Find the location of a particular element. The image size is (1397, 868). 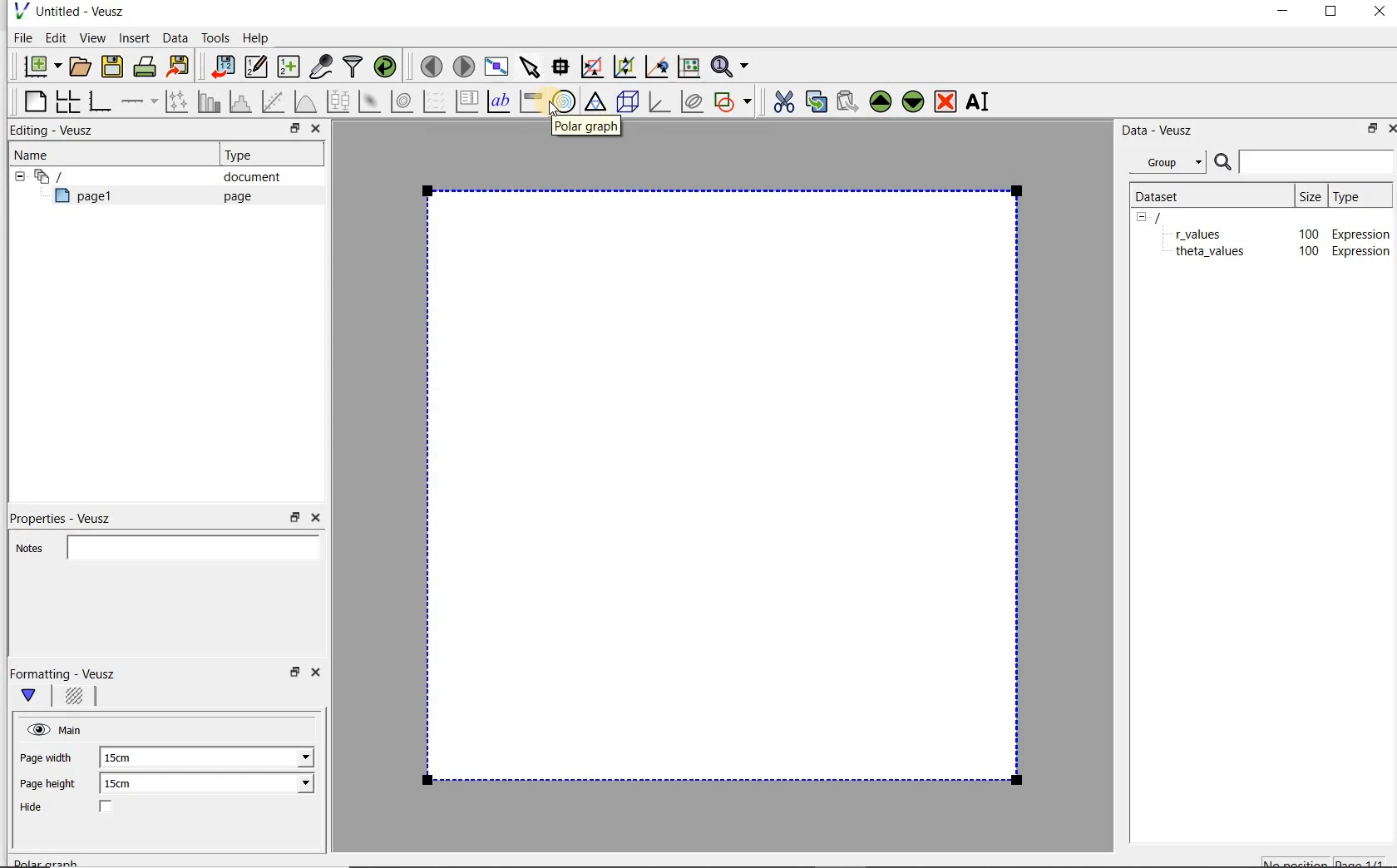

No position is located at coordinates (1297, 861).